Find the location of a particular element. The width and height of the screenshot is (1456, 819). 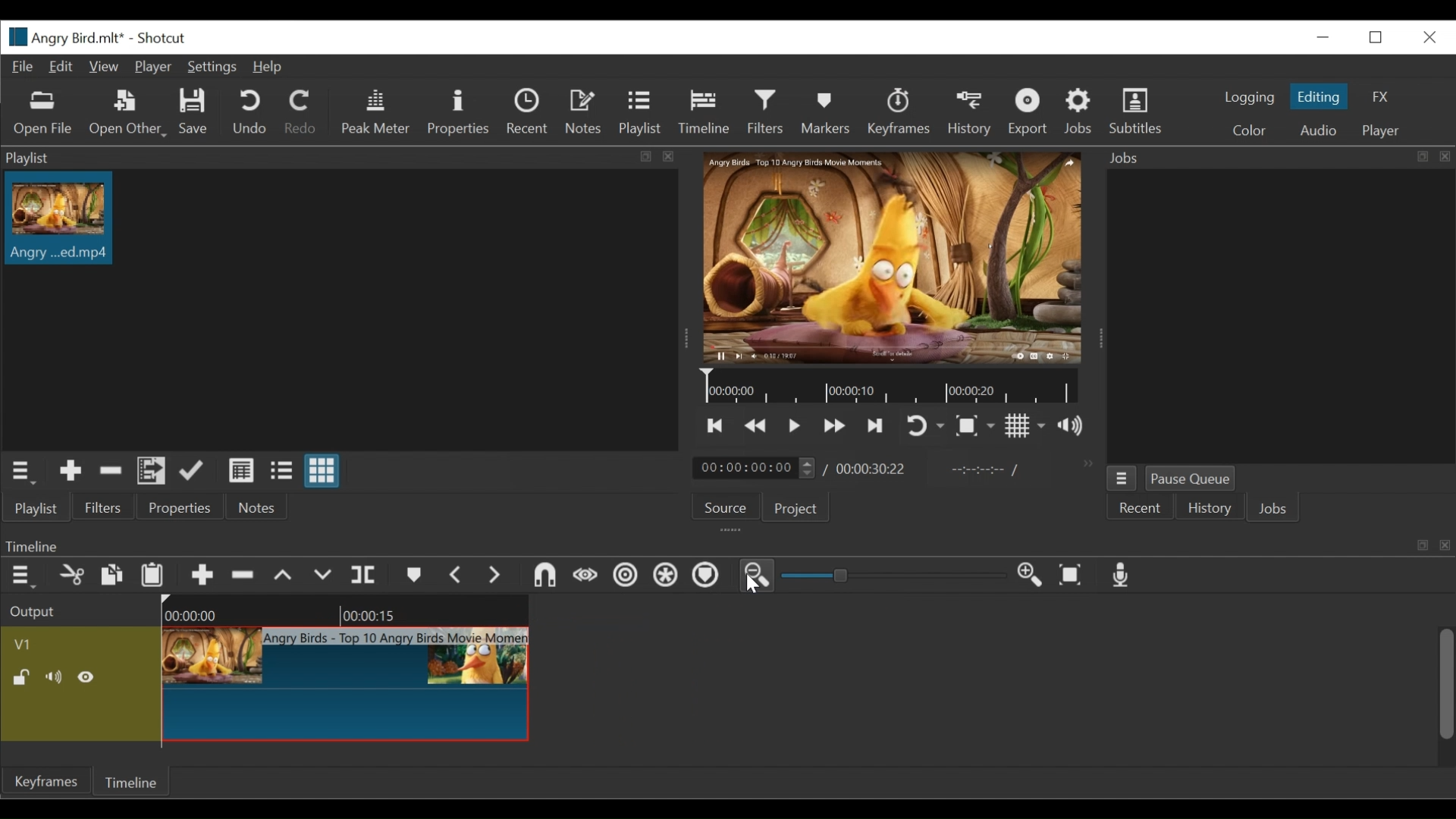

FX is located at coordinates (1384, 97).